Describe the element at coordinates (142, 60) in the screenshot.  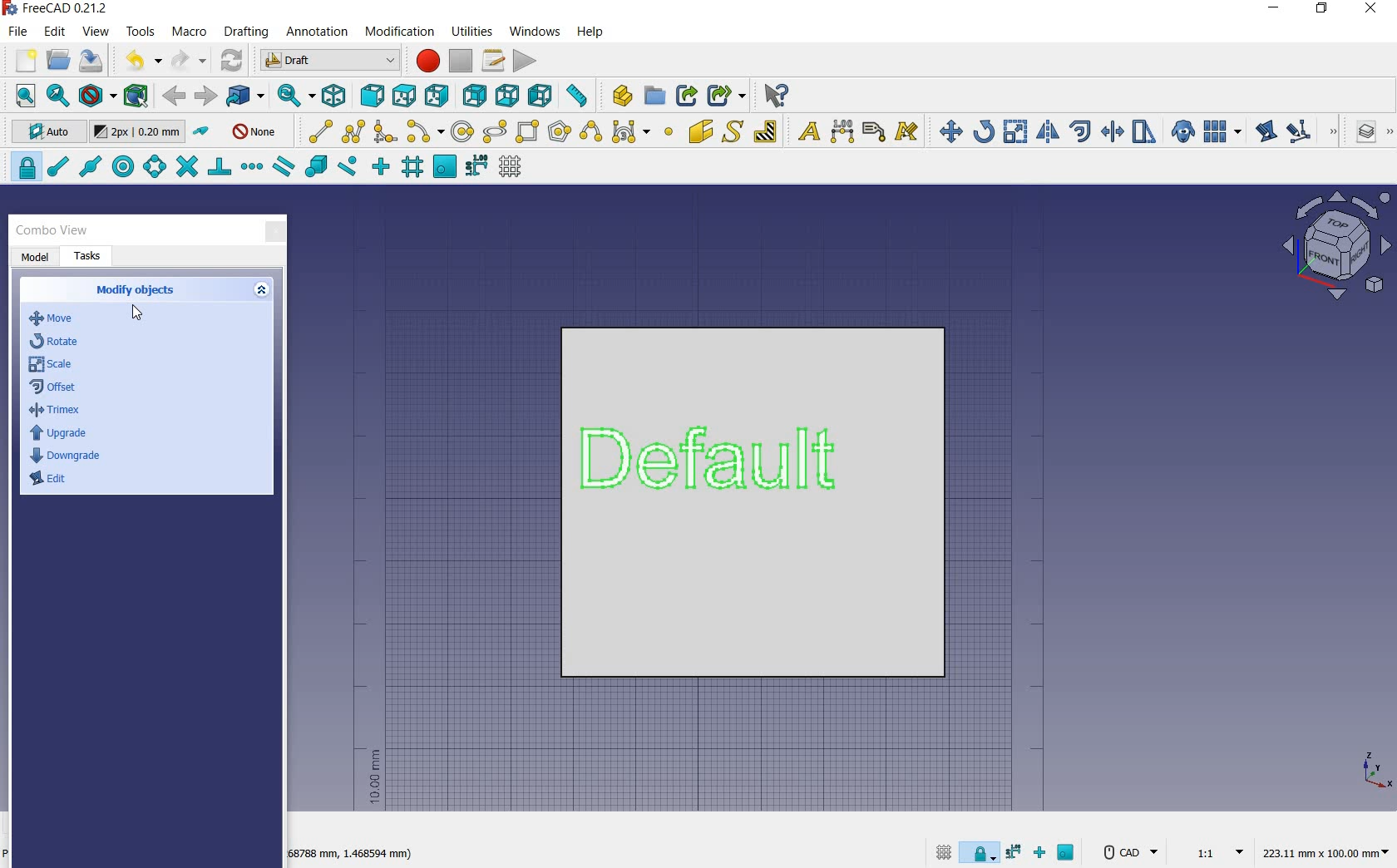
I see `undo` at that location.